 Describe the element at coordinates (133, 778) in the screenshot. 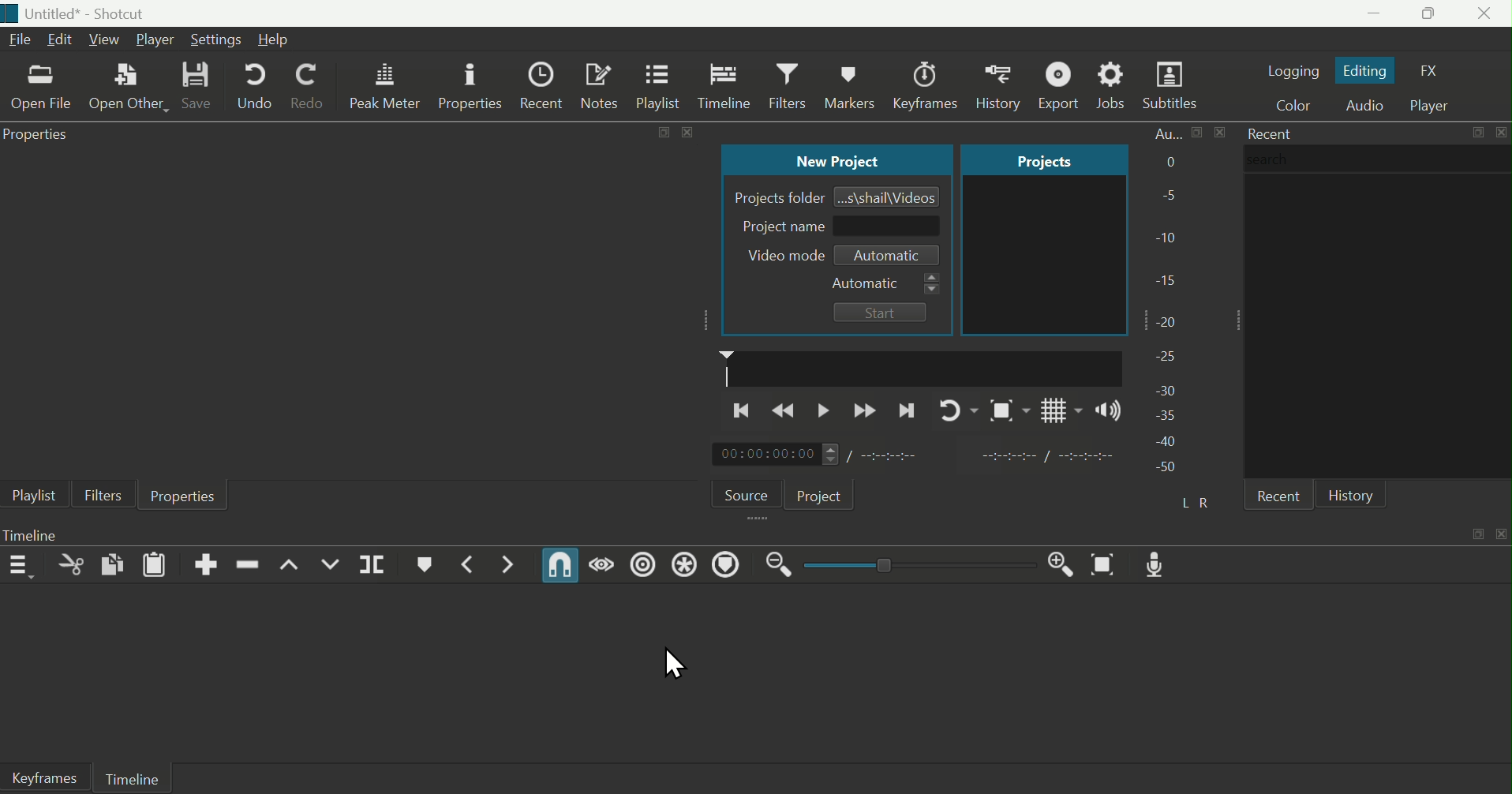

I see `Timeline` at that location.